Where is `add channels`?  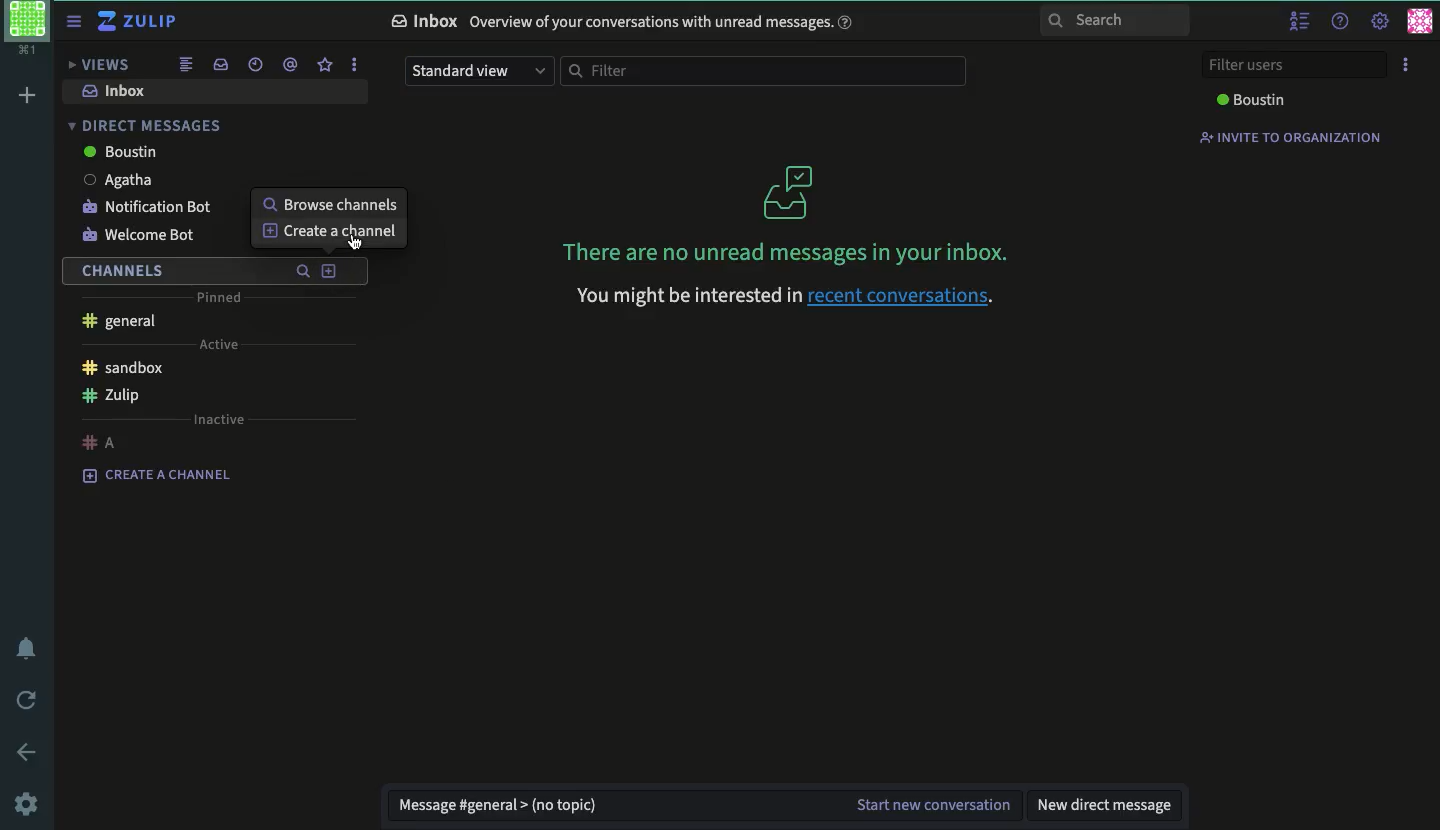
add channels is located at coordinates (332, 273).